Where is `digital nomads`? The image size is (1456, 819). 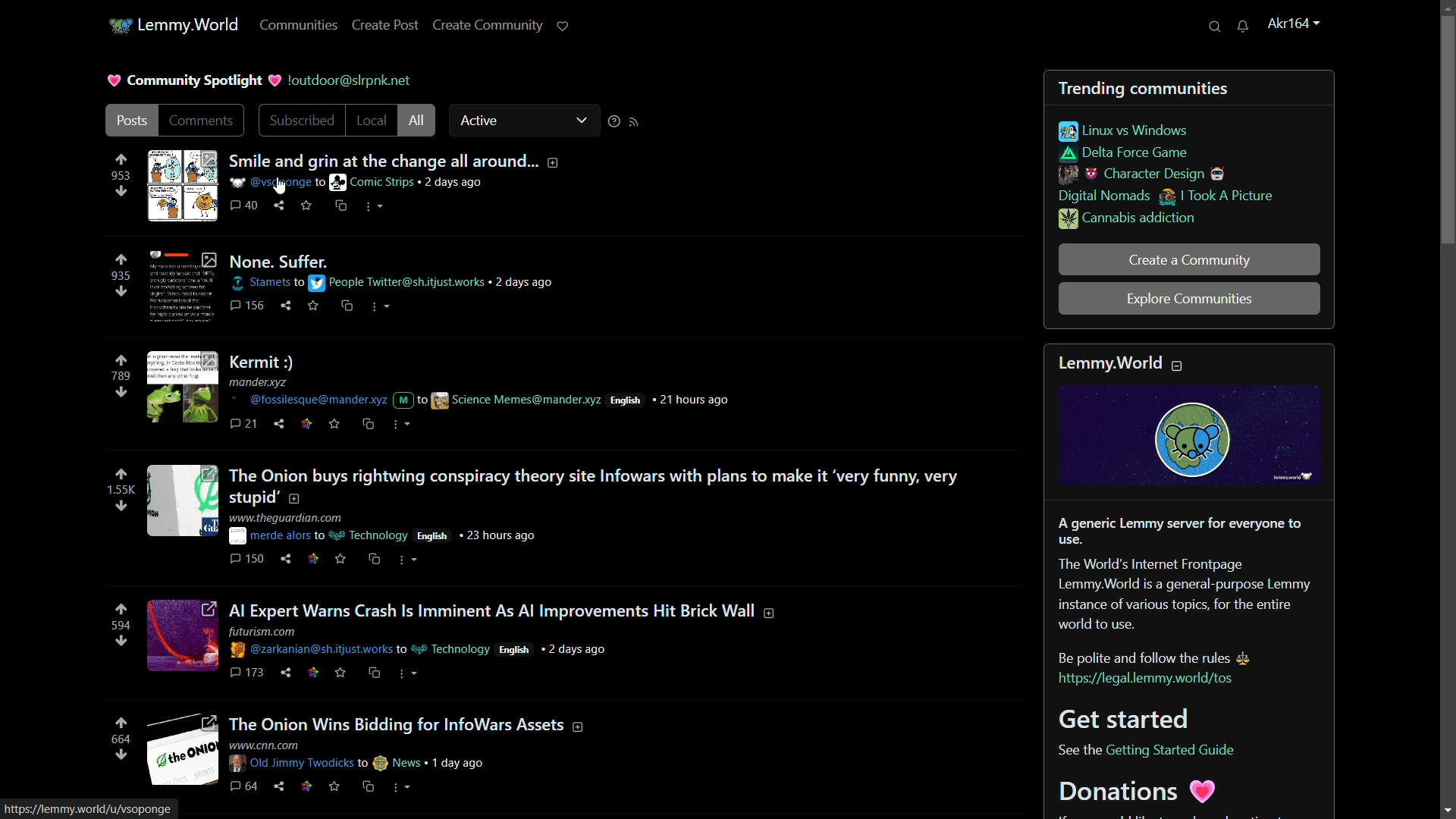 digital nomads is located at coordinates (1105, 196).